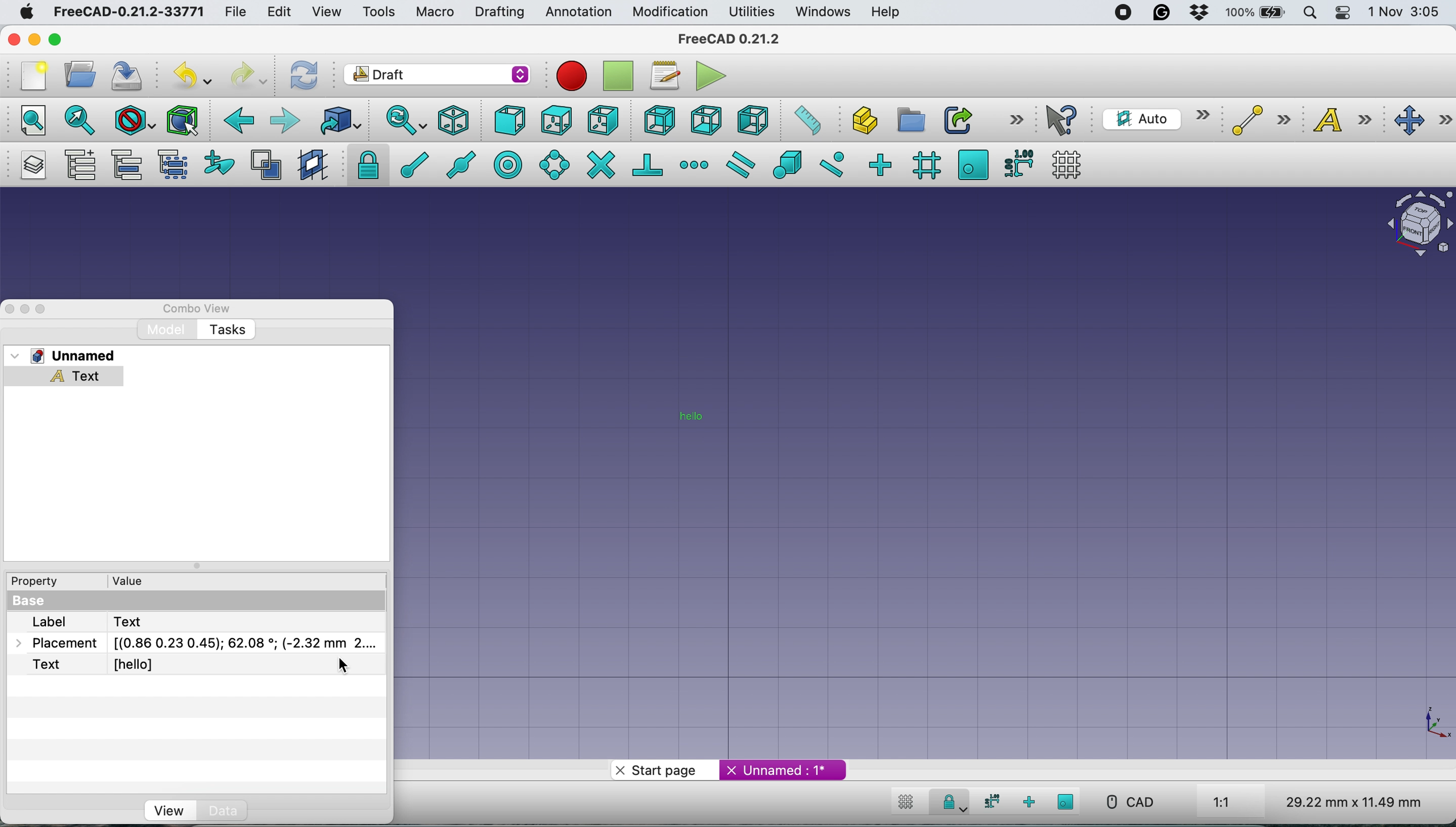 This screenshot has width=1456, height=827. I want to click on spotlight search, so click(1308, 12).